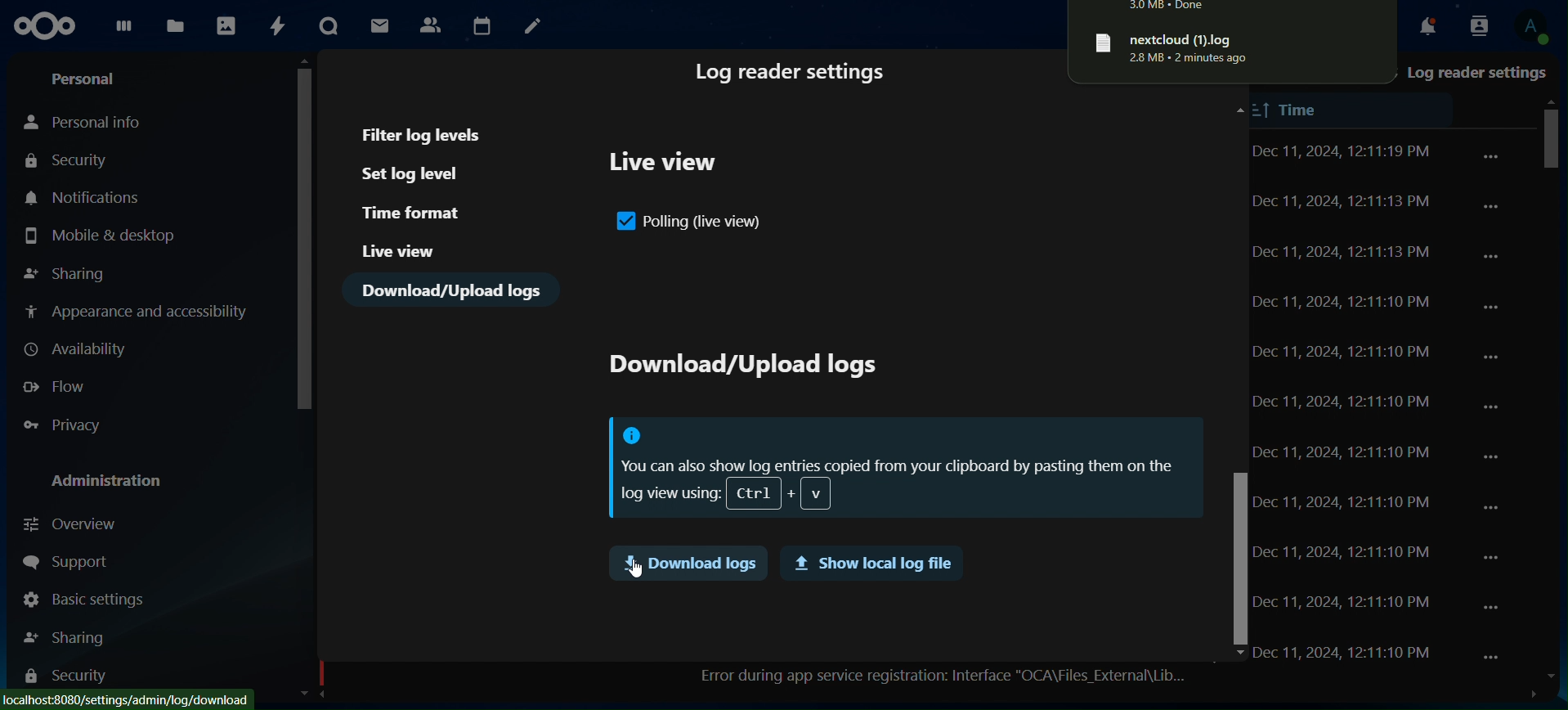  What do you see at coordinates (225, 28) in the screenshot?
I see `photos` at bounding box center [225, 28].